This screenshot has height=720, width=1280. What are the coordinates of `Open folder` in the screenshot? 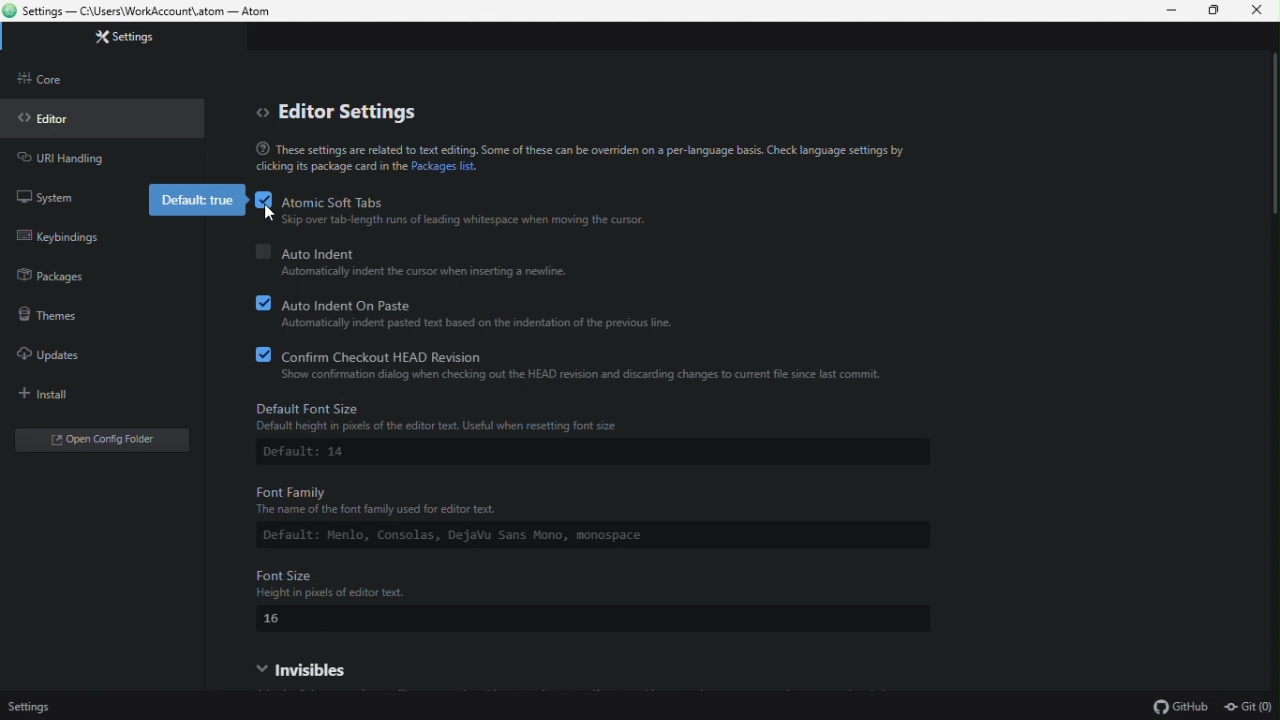 It's located at (86, 434).